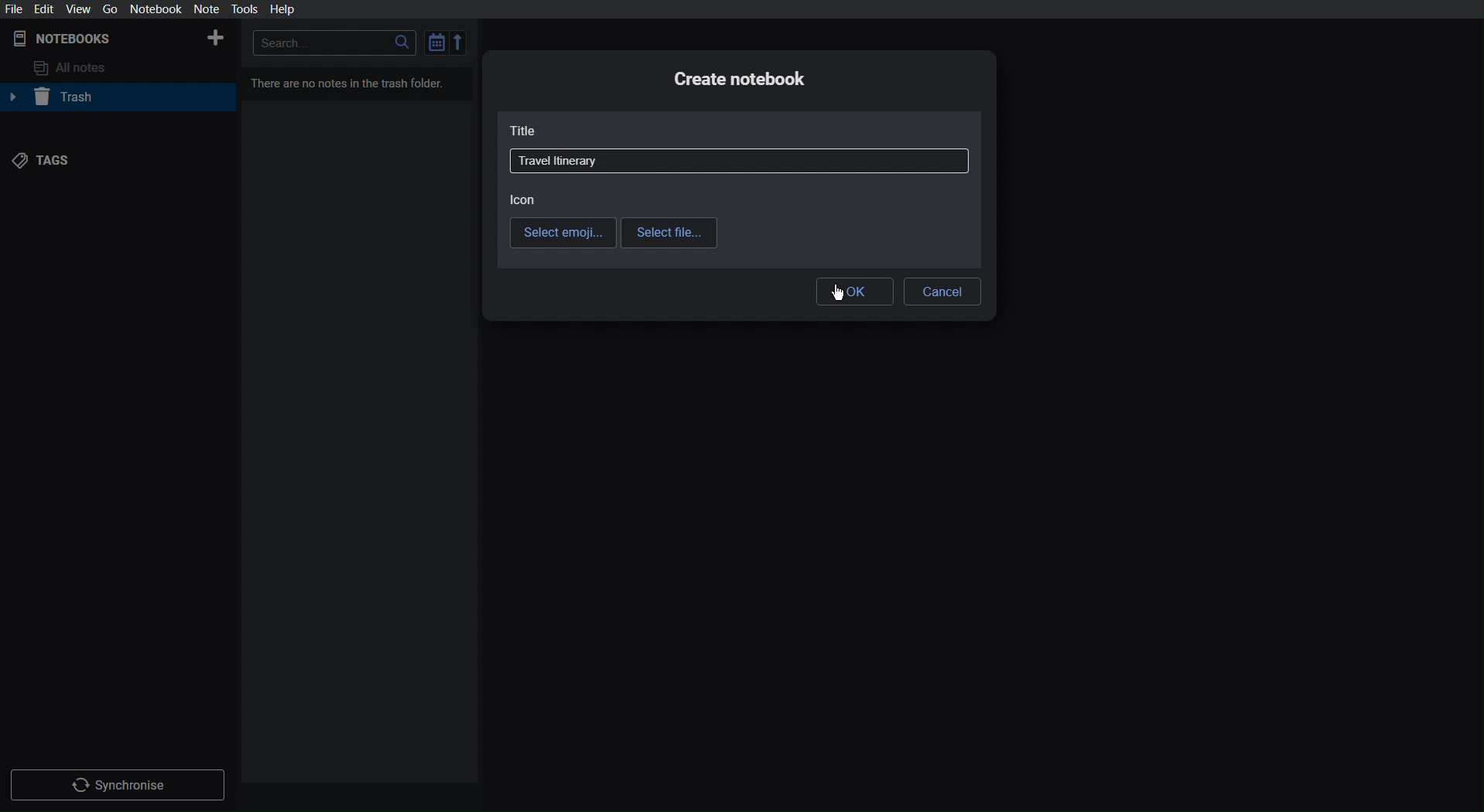 The height and width of the screenshot is (812, 1484). What do you see at coordinates (118, 784) in the screenshot?
I see `Synchronize` at bounding box center [118, 784].